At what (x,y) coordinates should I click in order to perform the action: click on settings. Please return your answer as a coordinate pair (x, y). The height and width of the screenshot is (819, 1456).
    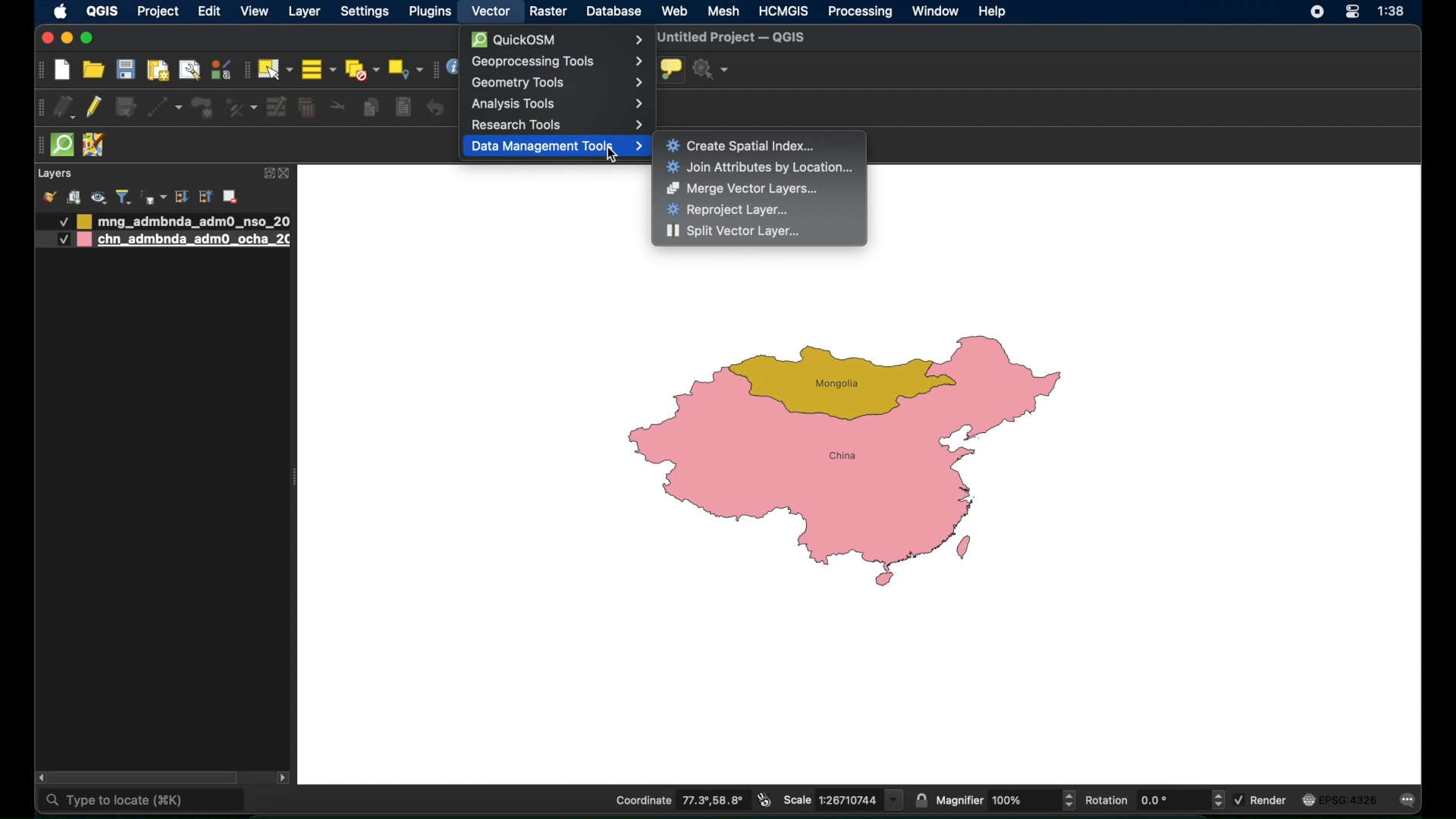
    Looking at the image, I should click on (366, 12).